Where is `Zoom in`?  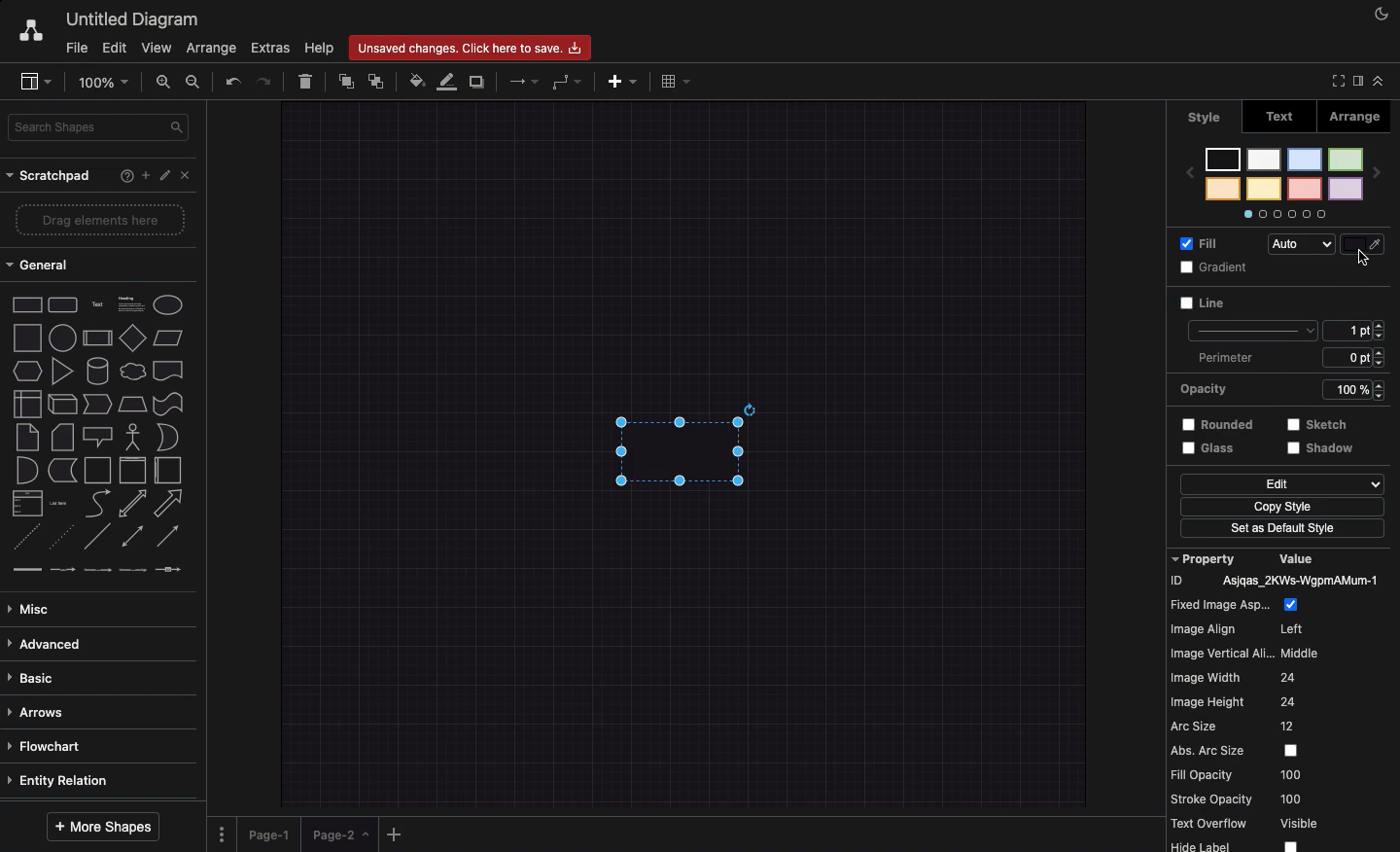
Zoom in is located at coordinates (166, 86).